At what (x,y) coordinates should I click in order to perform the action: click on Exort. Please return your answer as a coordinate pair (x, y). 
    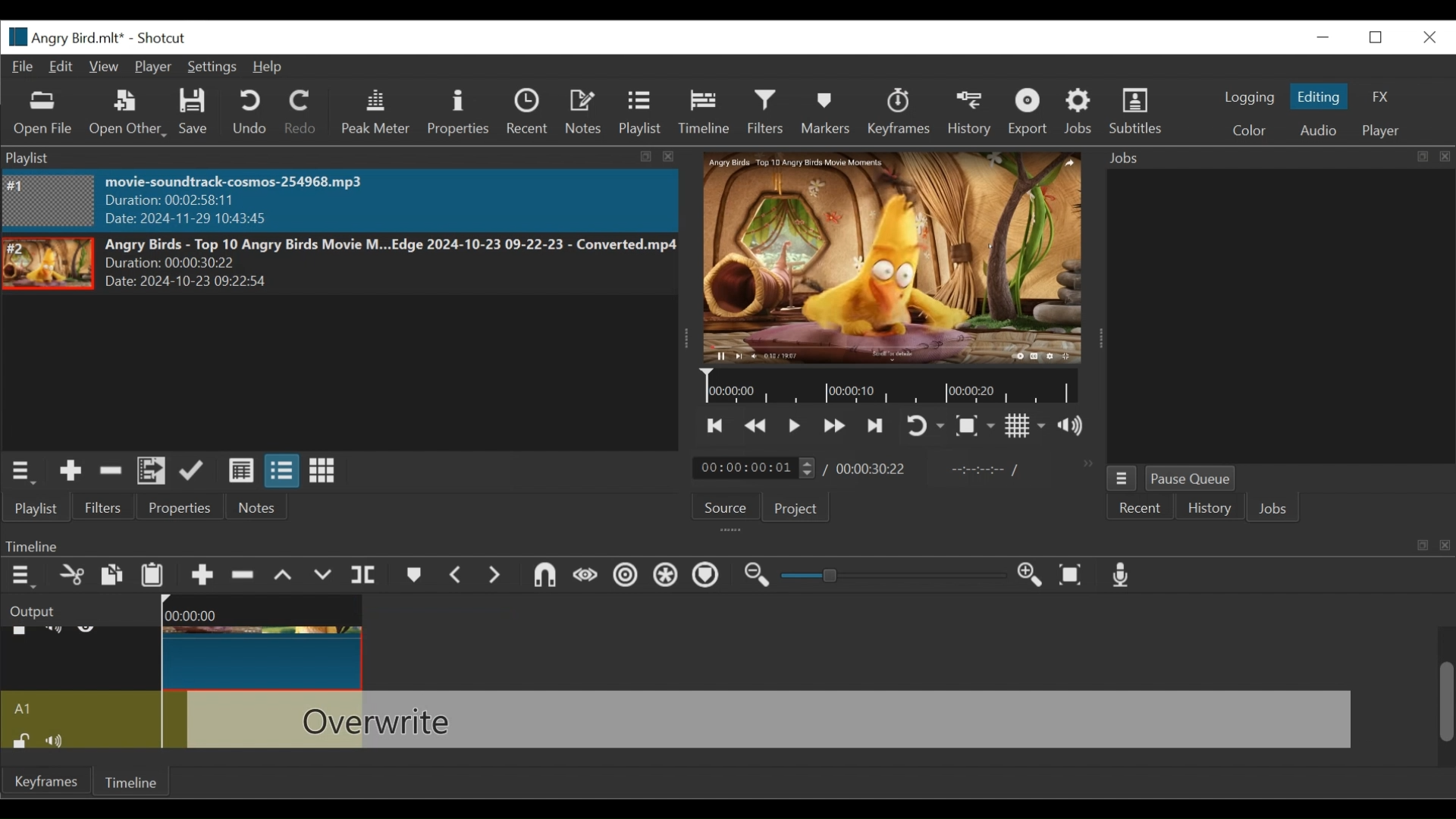
    Looking at the image, I should click on (1030, 113).